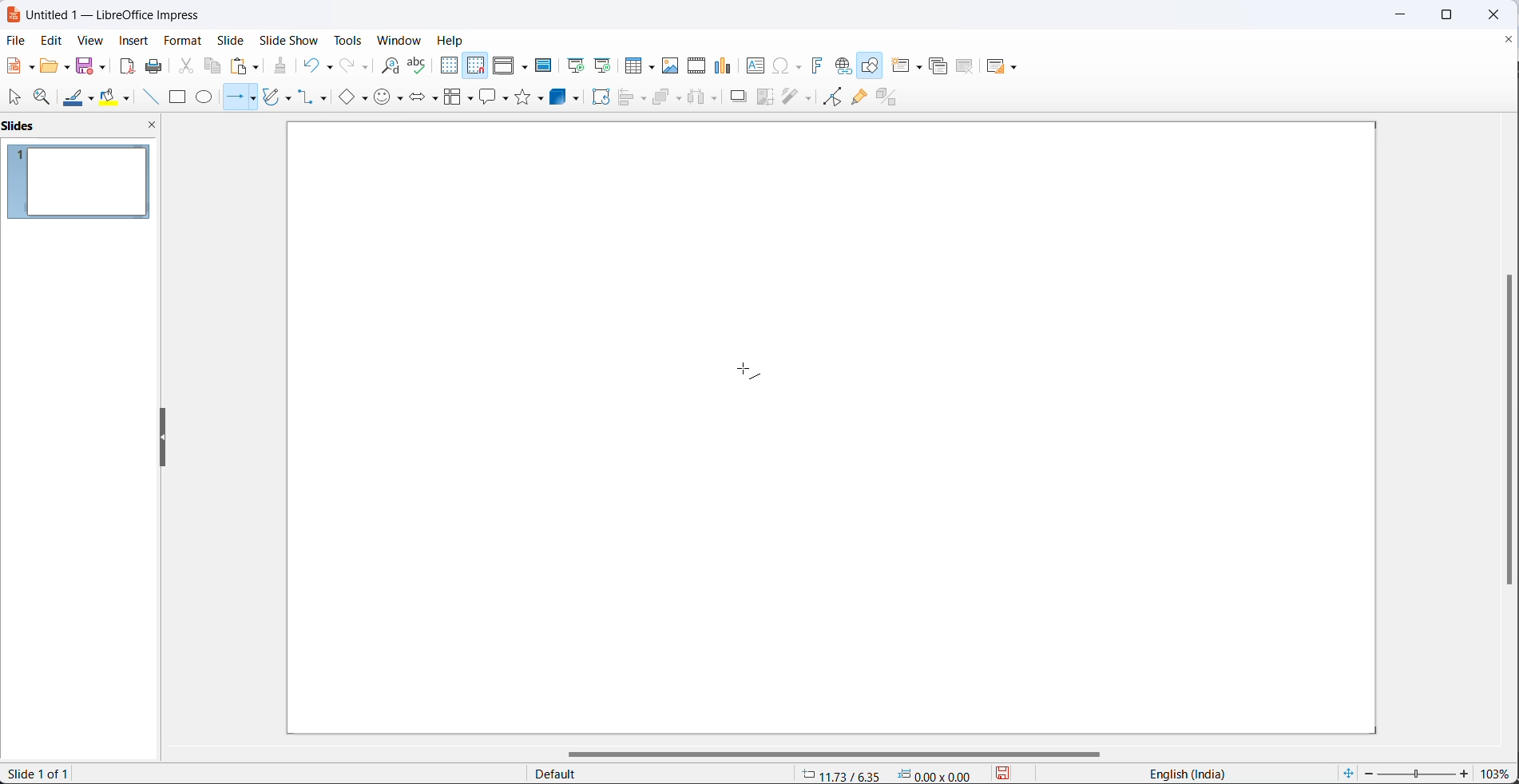 This screenshot has height=784, width=1519. Describe the element at coordinates (129, 68) in the screenshot. I see `export as pdf` at that location.